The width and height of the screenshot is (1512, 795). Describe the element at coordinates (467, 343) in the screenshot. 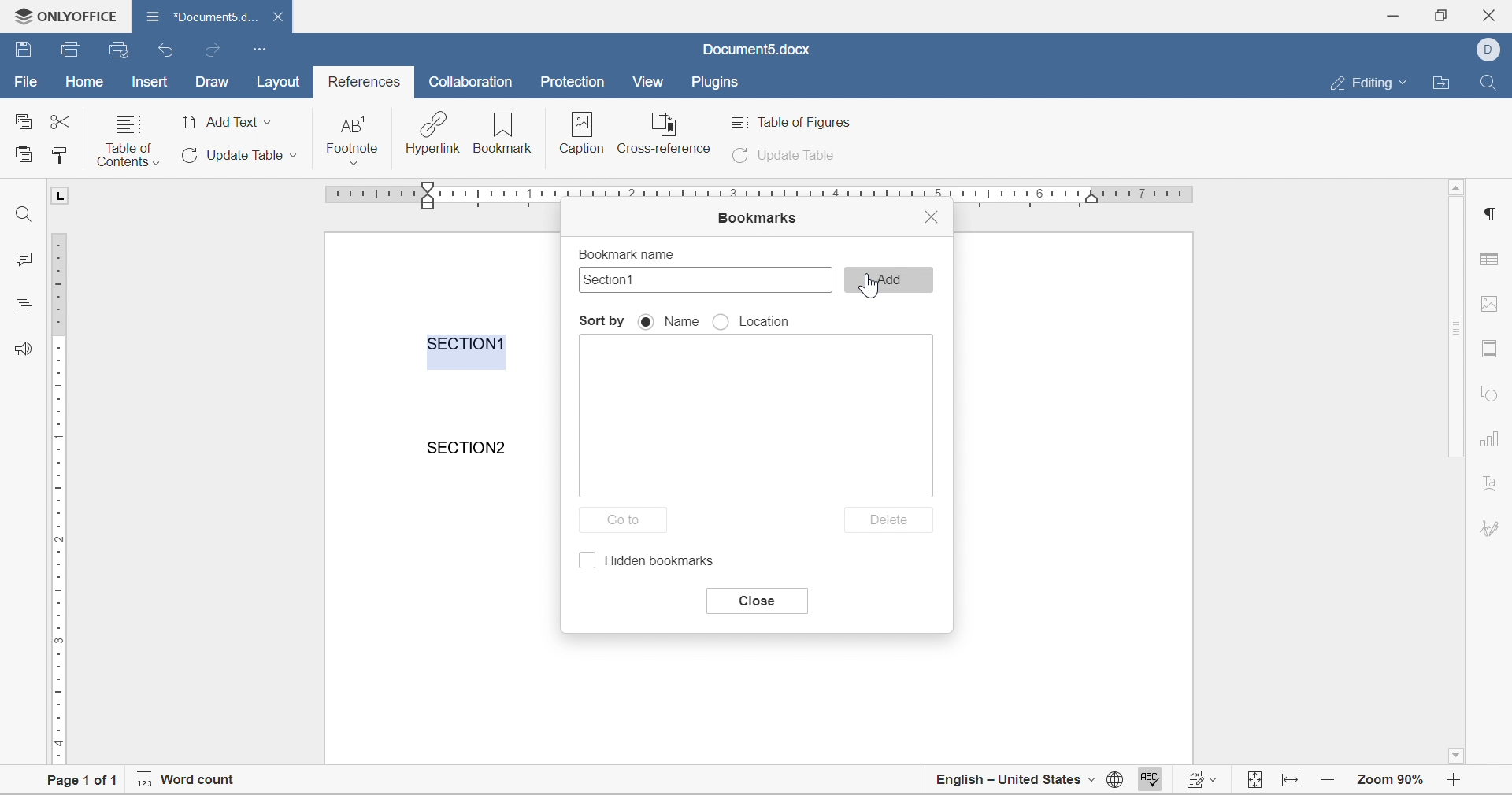

I see `section1` at that location.